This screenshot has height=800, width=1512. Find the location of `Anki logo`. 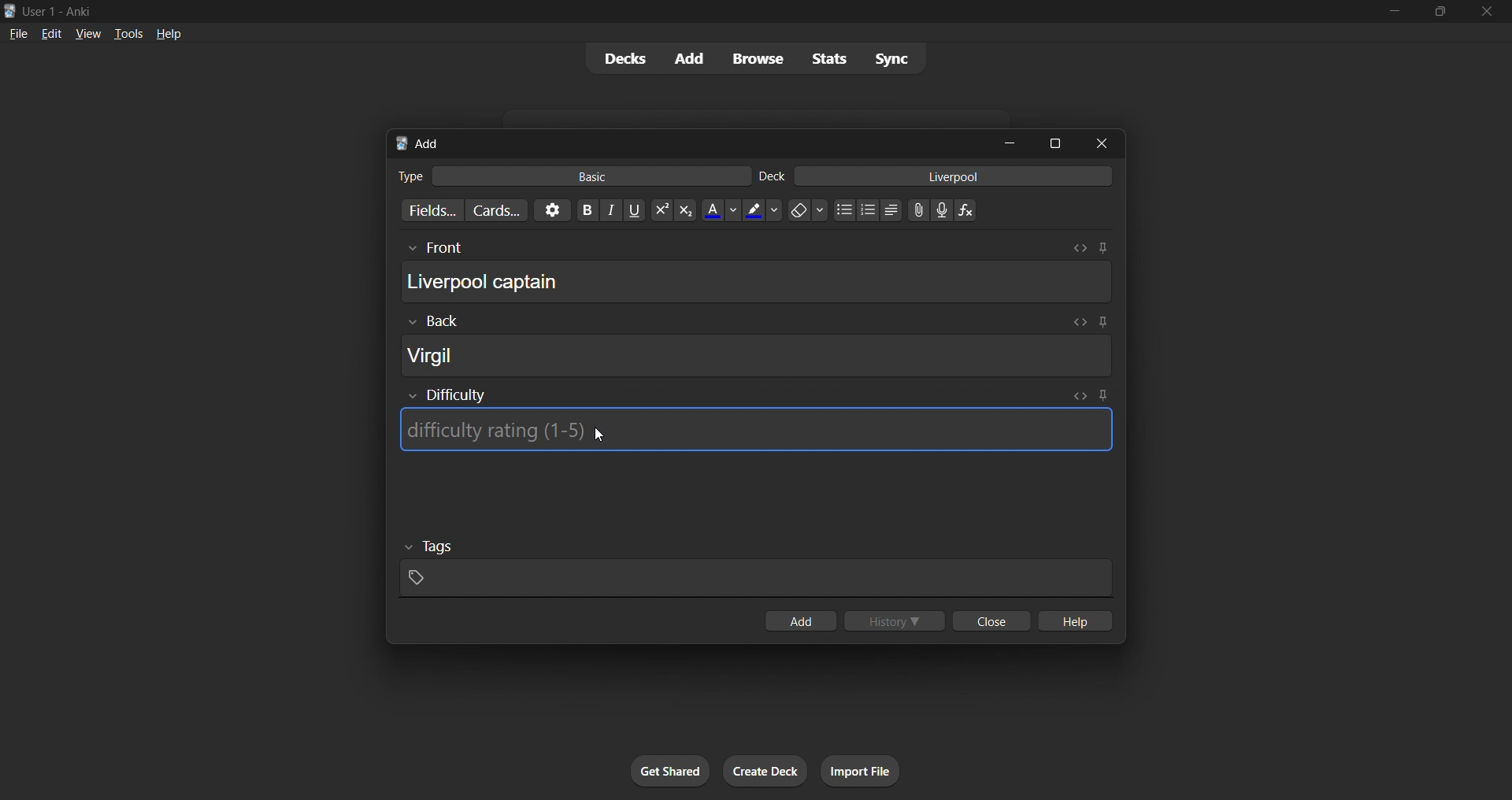

Anki logo is located at coordinates (402, 143).